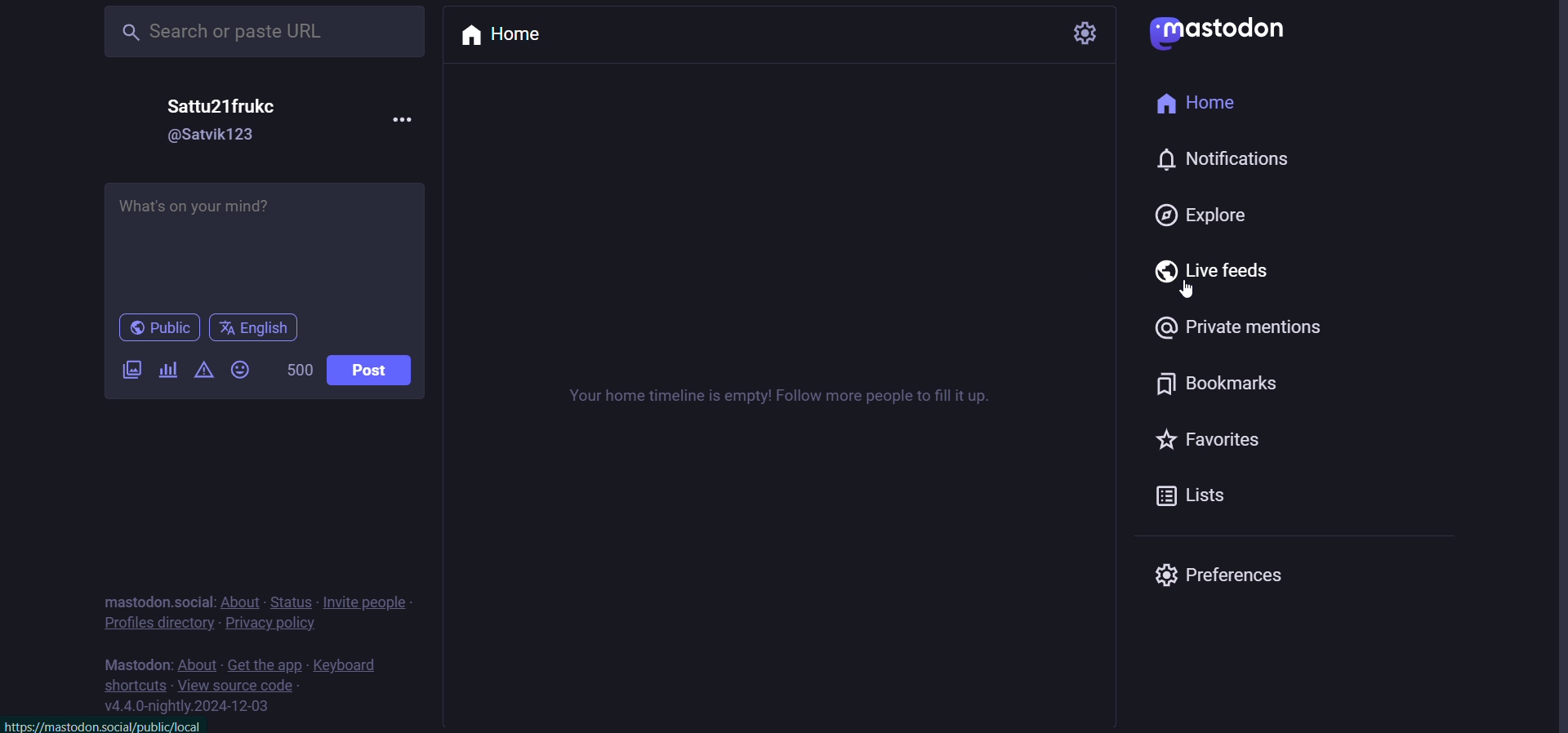  What do you see at coordinates (1204, 218) in the screenshot?
I see `explore` at bounding box center [1204, 218].